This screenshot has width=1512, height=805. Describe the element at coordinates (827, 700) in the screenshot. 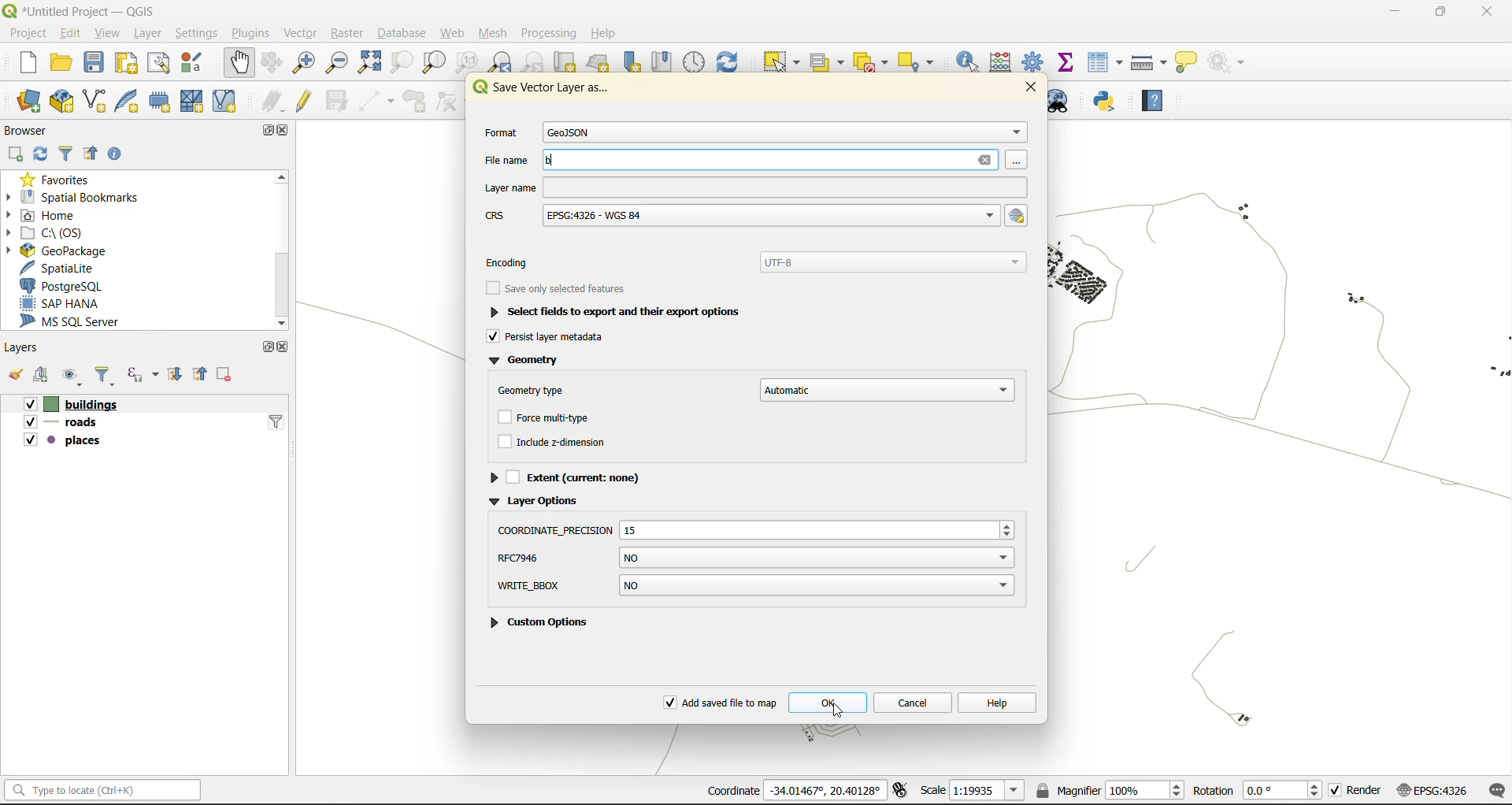

I see `ok` at that location.